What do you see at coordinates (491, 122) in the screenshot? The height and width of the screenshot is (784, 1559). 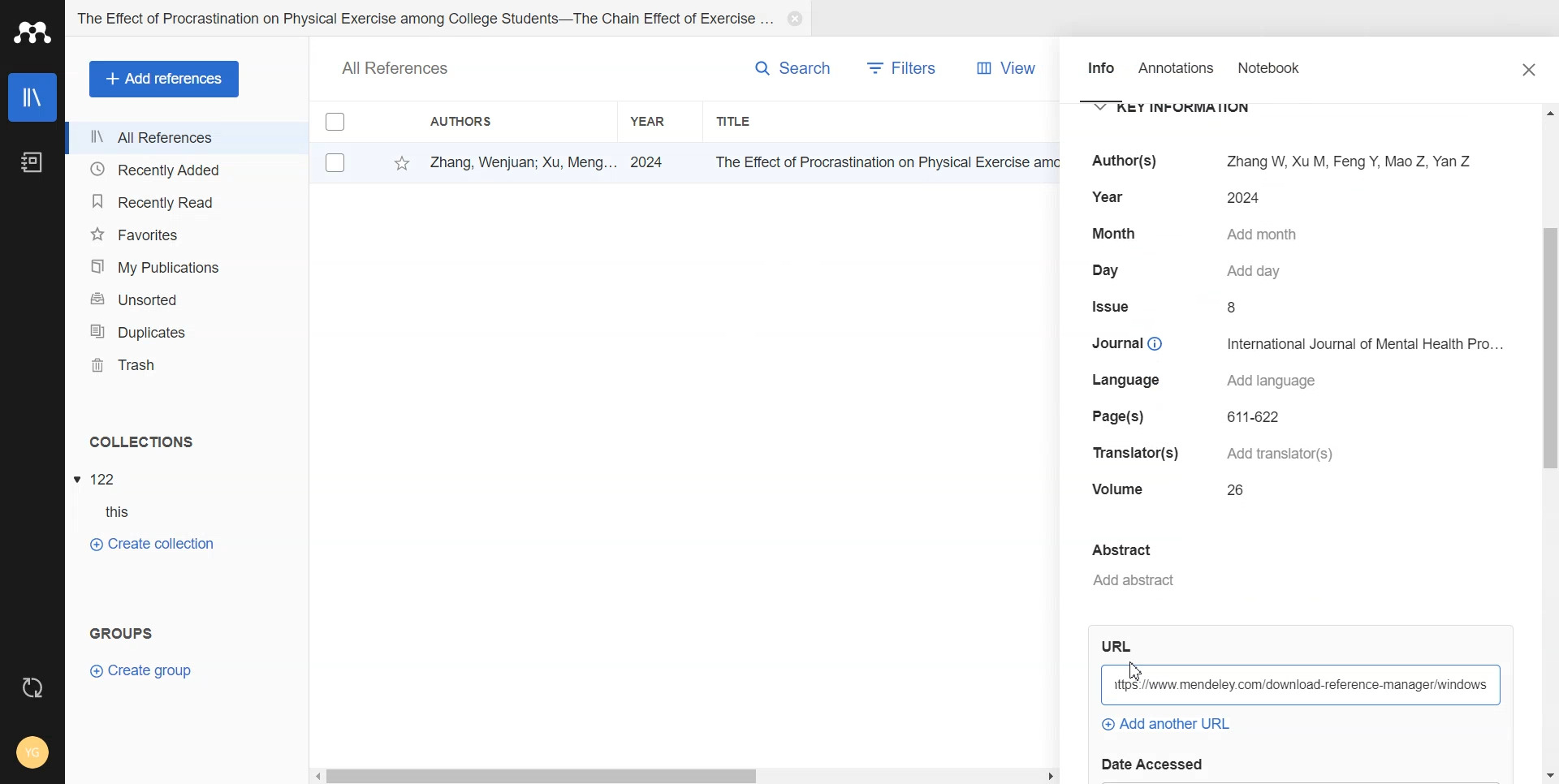 I see `Authors` at bounding box center [491, 122].